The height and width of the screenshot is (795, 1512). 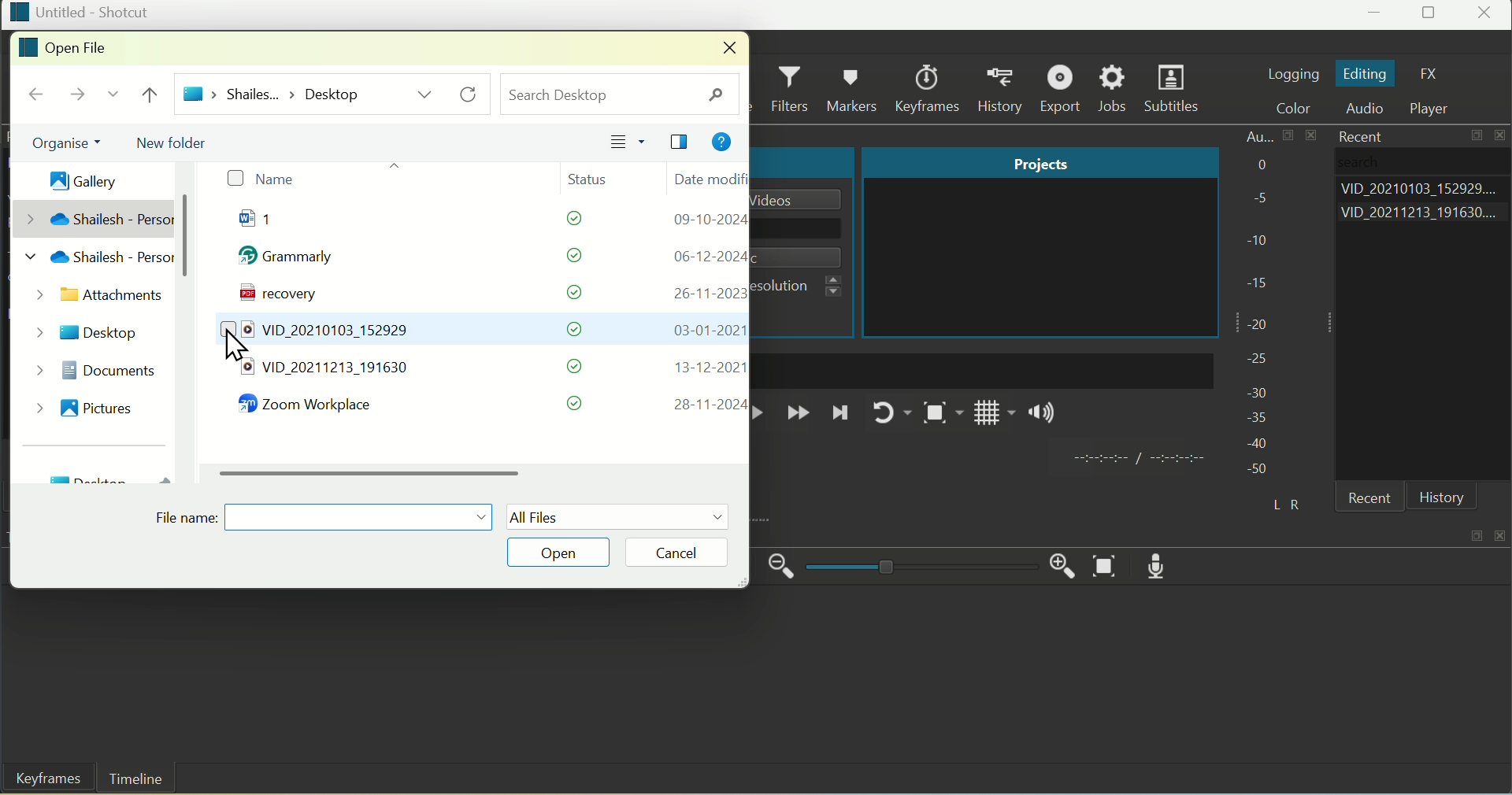 I want to click on Play, so click(x=763, y=412).